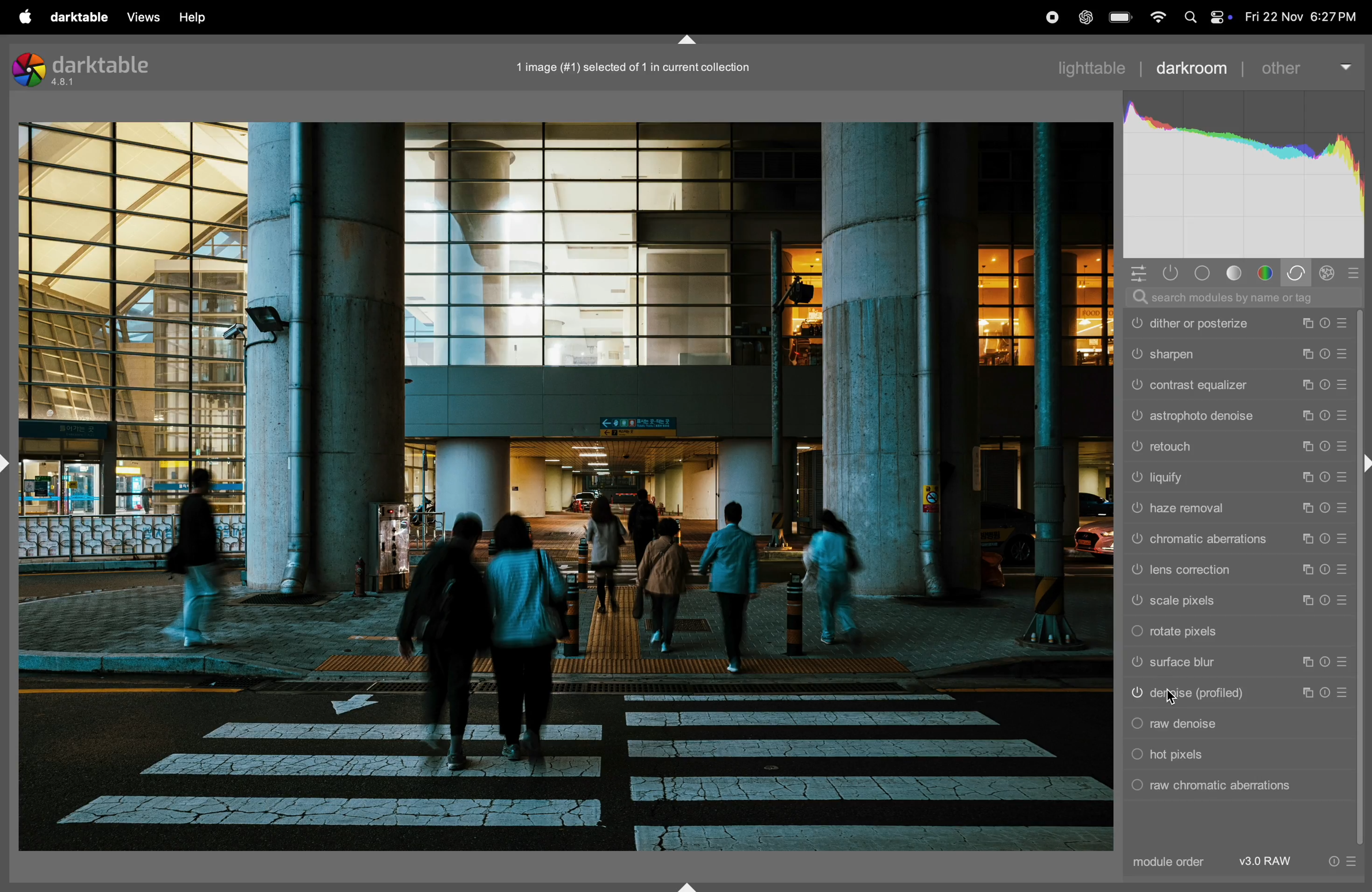  I want to click on lens correction, so click(1238, 570).